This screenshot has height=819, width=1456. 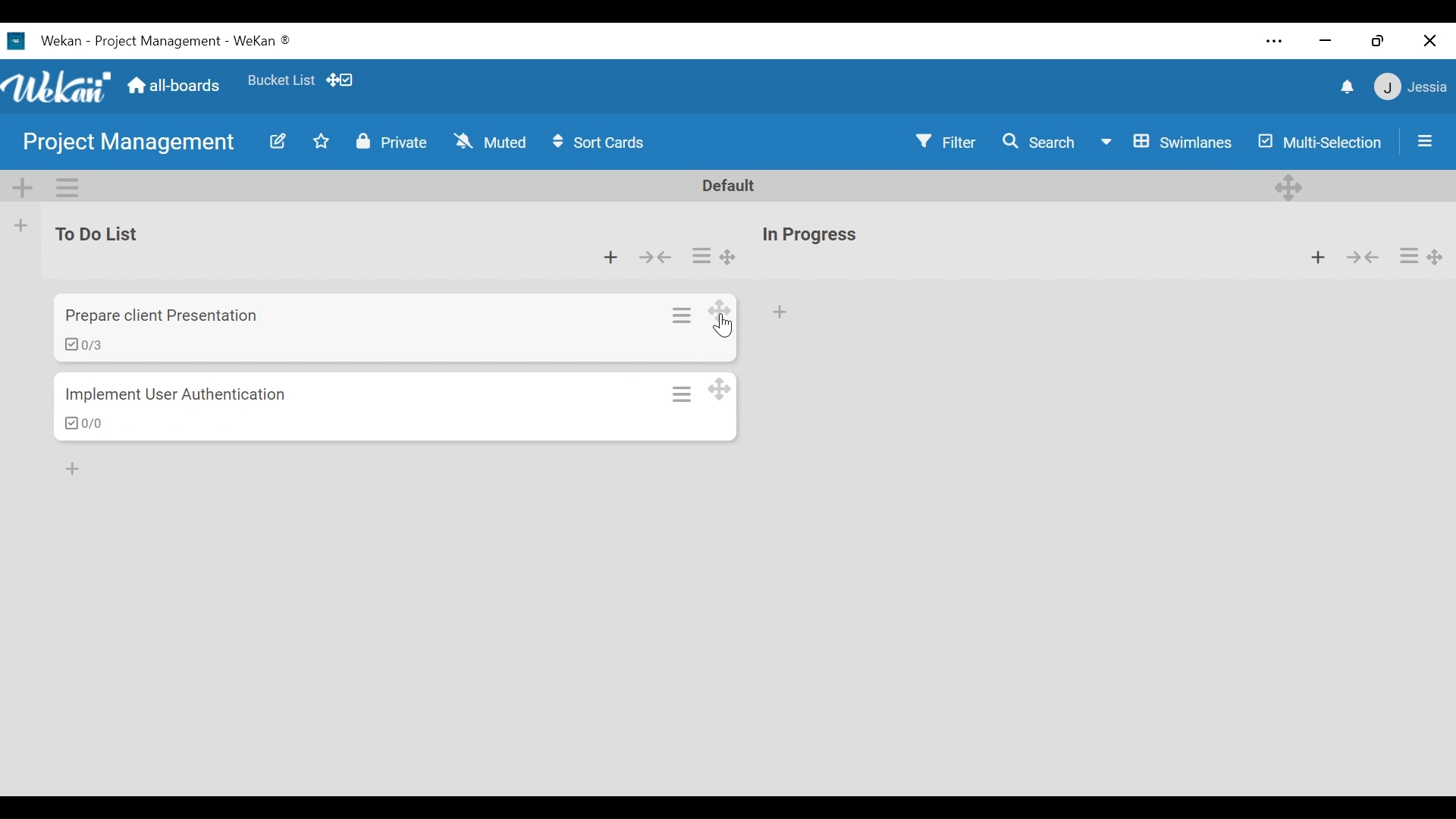 What do you see at coordinates (85, 424) in the screenshot?
I see `Checklist items` at bounding box center [85, 424].